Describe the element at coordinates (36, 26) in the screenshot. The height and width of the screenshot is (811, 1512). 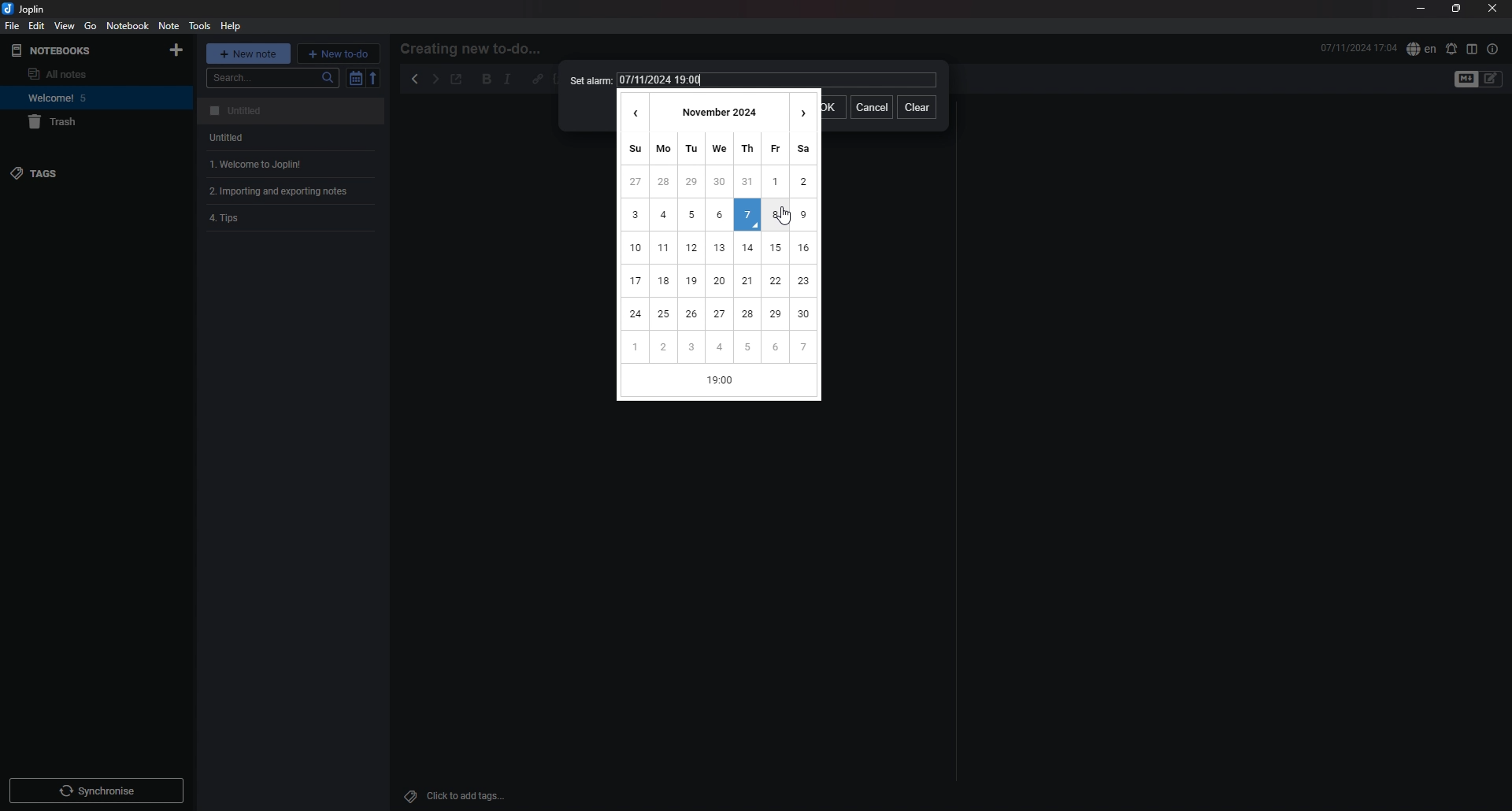
I see `edit` at that location.